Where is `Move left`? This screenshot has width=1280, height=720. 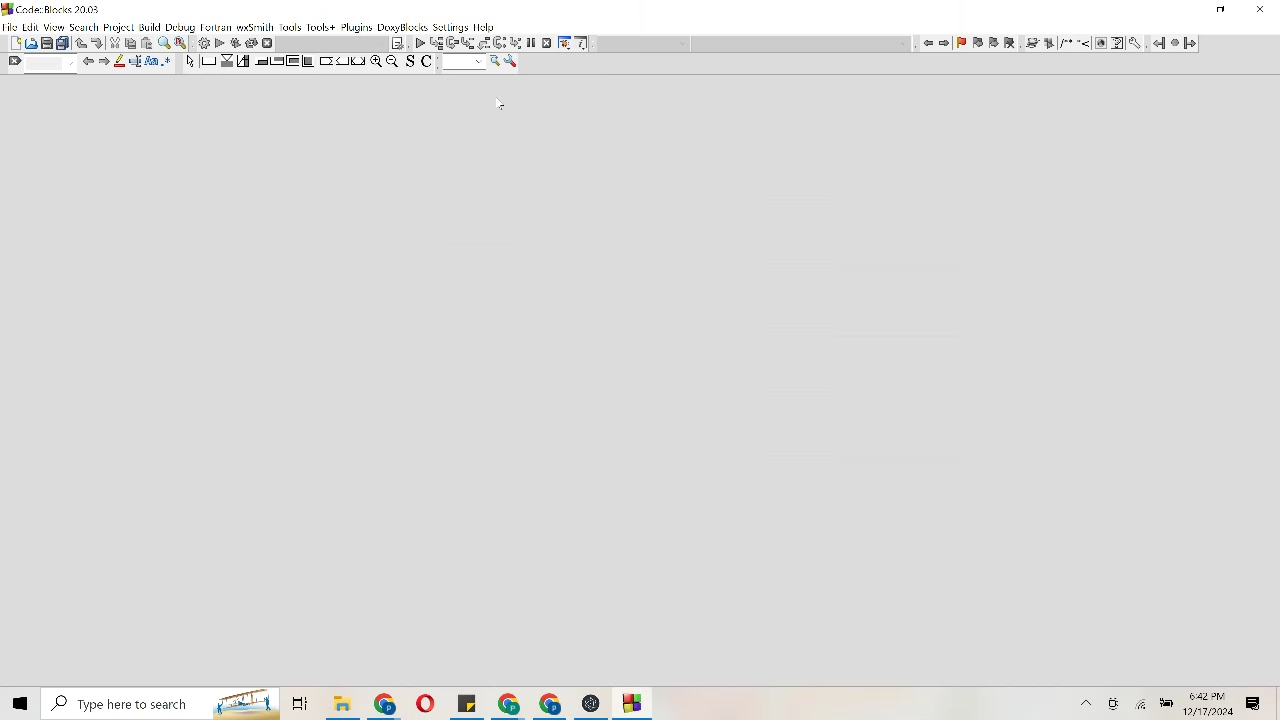 Move left is located at coordinates (928, 42).